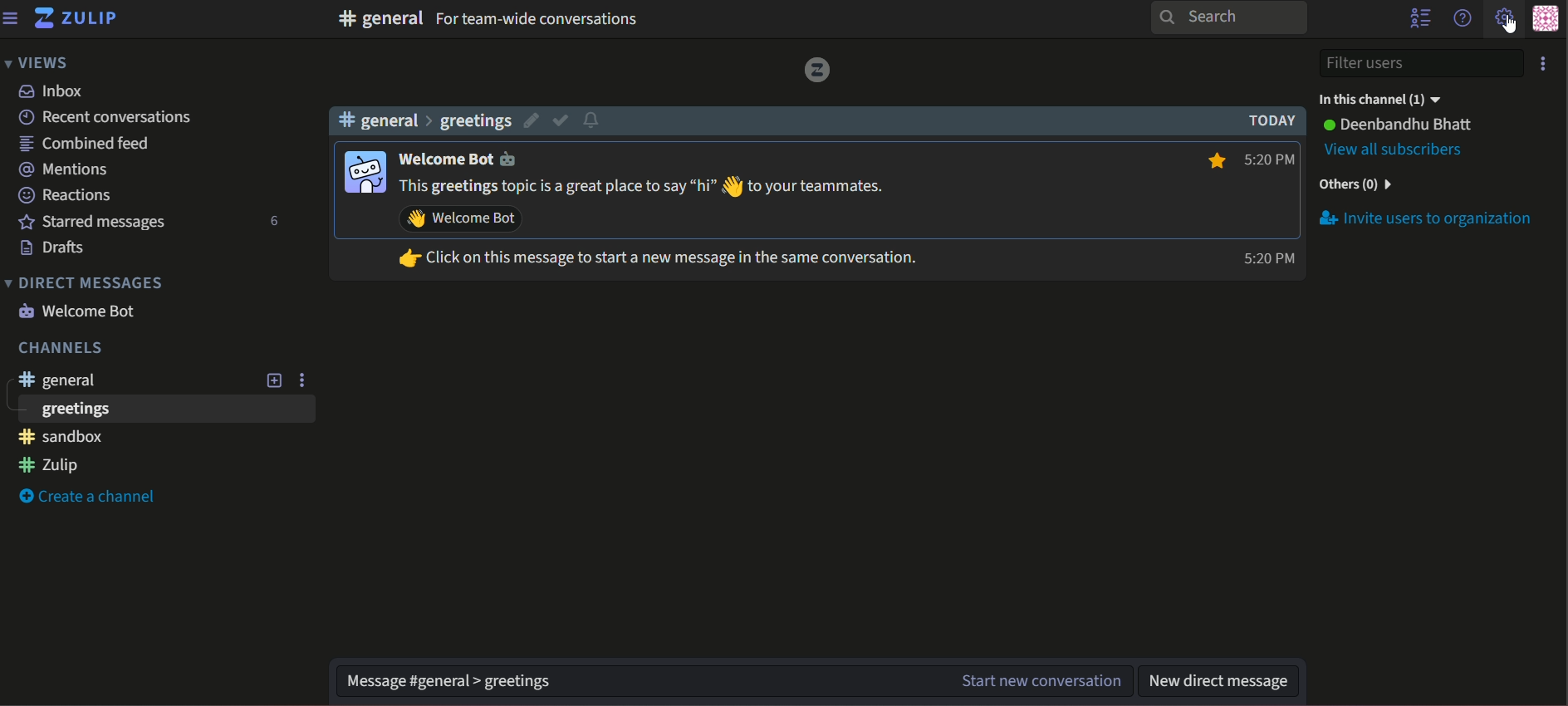 The height and width of the screenshot is (706, 1568). What do you see at coordinates (1419, 20) in the screenshot?
I see `options` at bounding box center [1419, 20].